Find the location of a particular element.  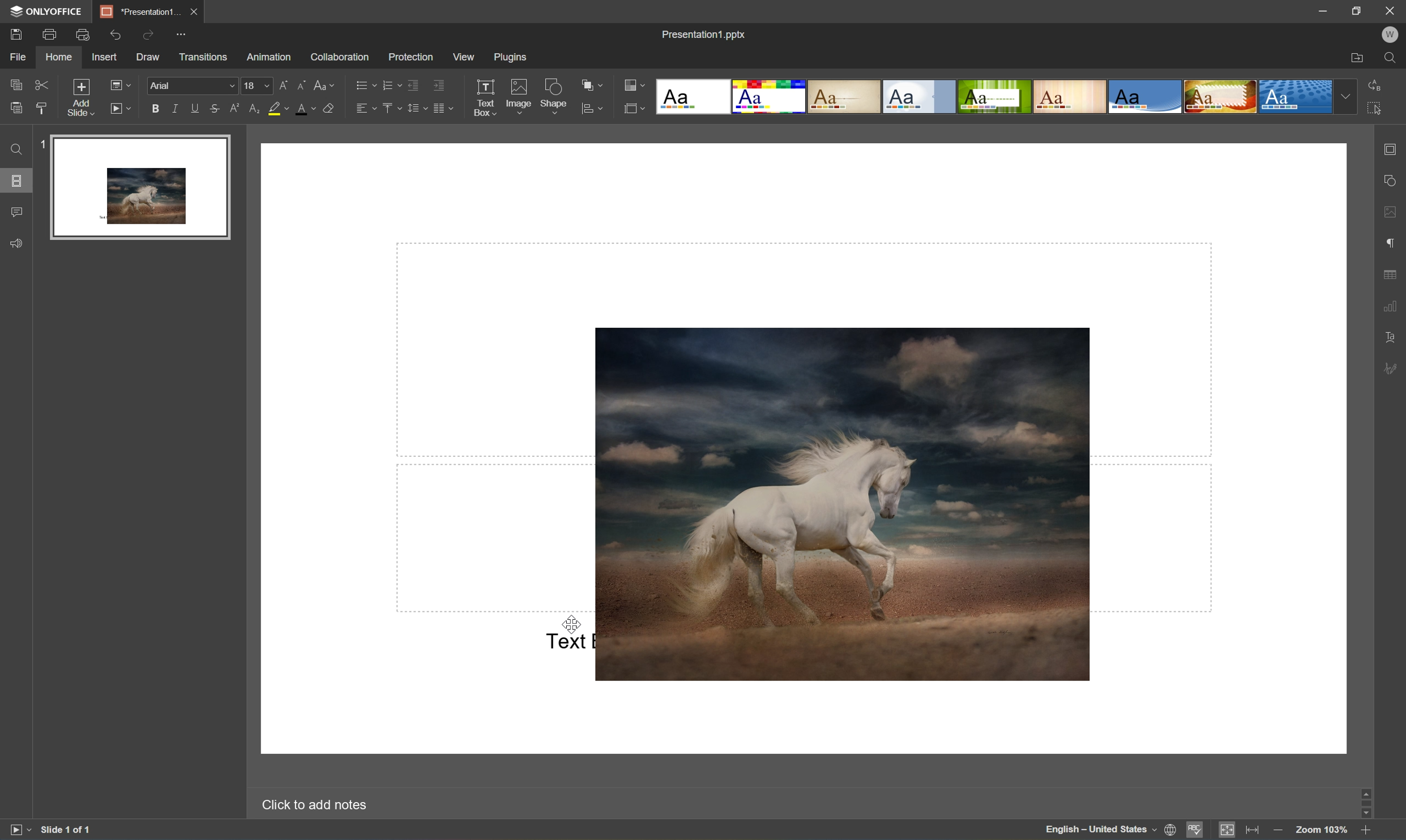

Quick Print is located at coordinates (86, 33).